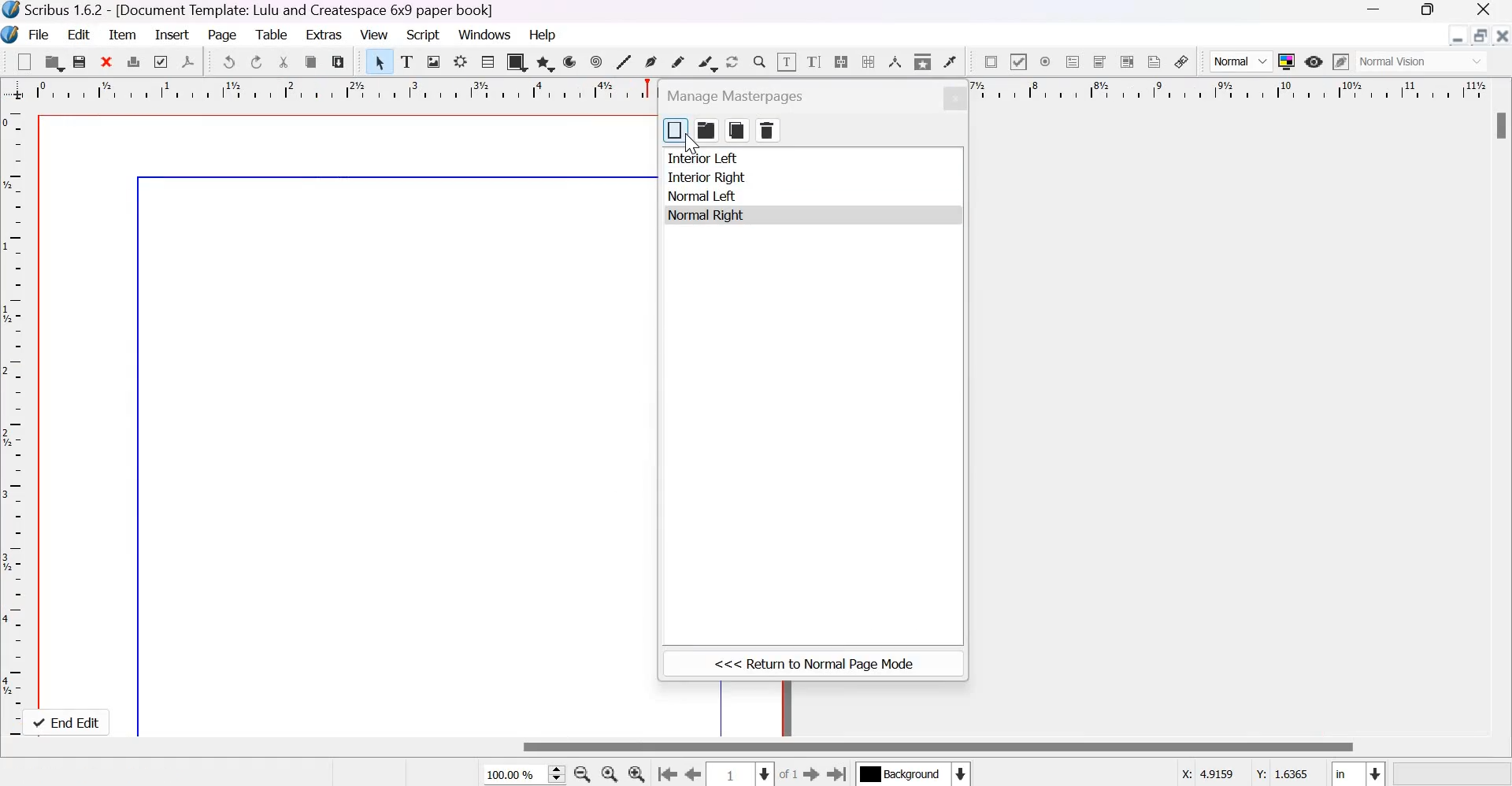  What do you see at coordinates (1287, 61) in the screenshot?
I see `Toggle color management system` at bounding box center [1287, 61].